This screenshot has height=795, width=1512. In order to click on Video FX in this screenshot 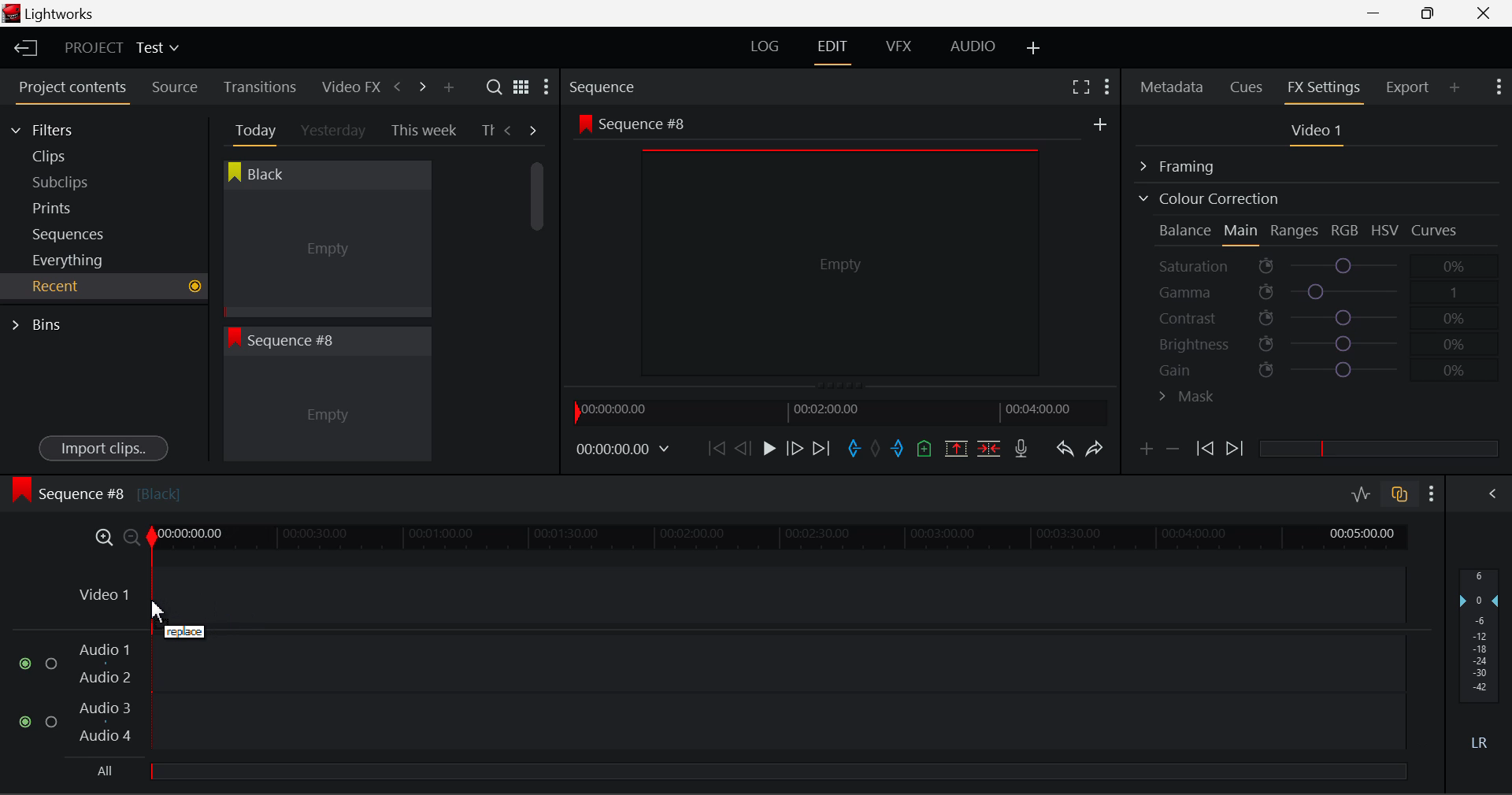, I will do `click(346, 87)`.